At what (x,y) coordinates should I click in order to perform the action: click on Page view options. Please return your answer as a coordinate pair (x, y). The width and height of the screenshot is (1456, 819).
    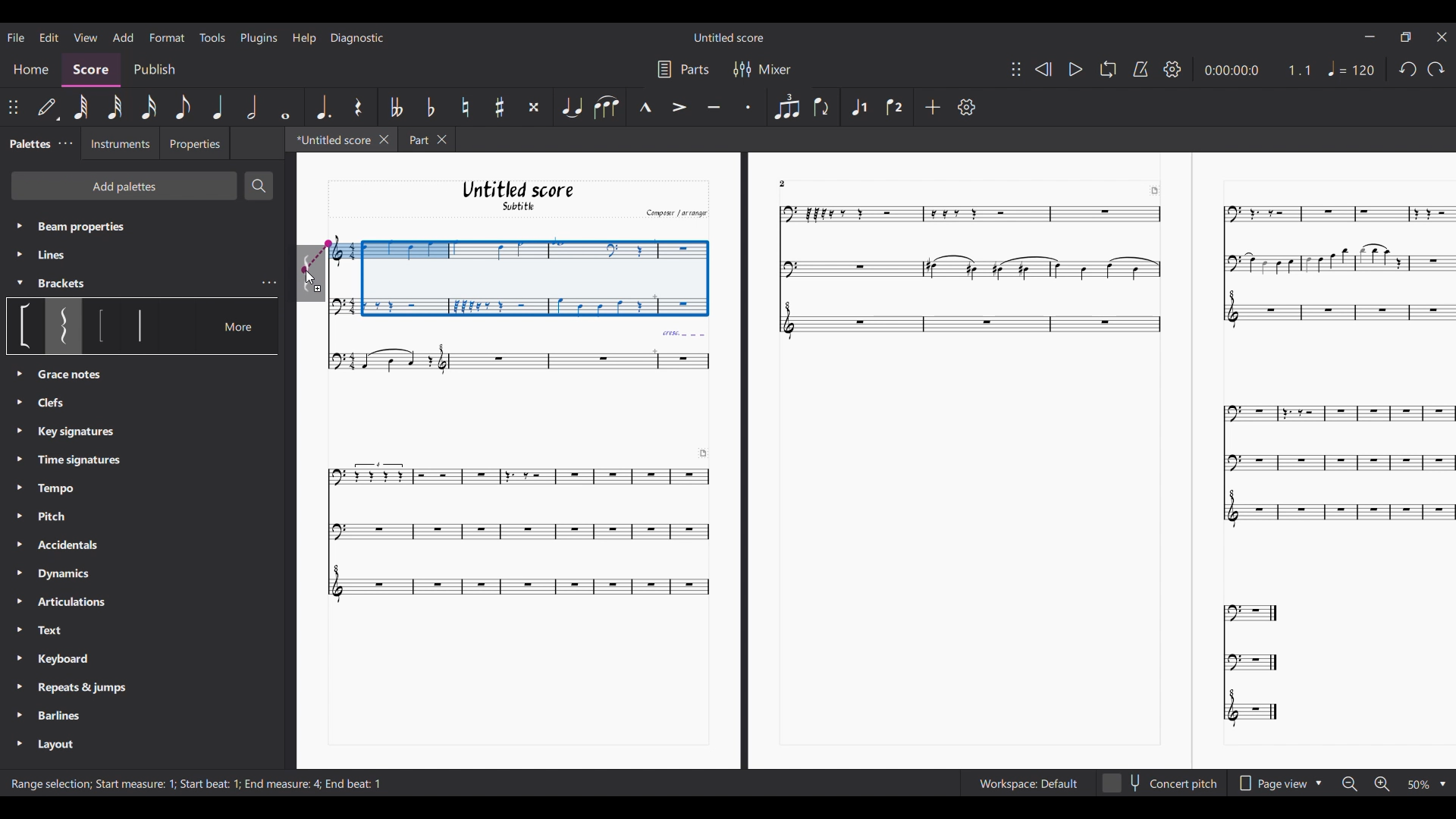
    Looking at the image, I should click on (1269, 783).